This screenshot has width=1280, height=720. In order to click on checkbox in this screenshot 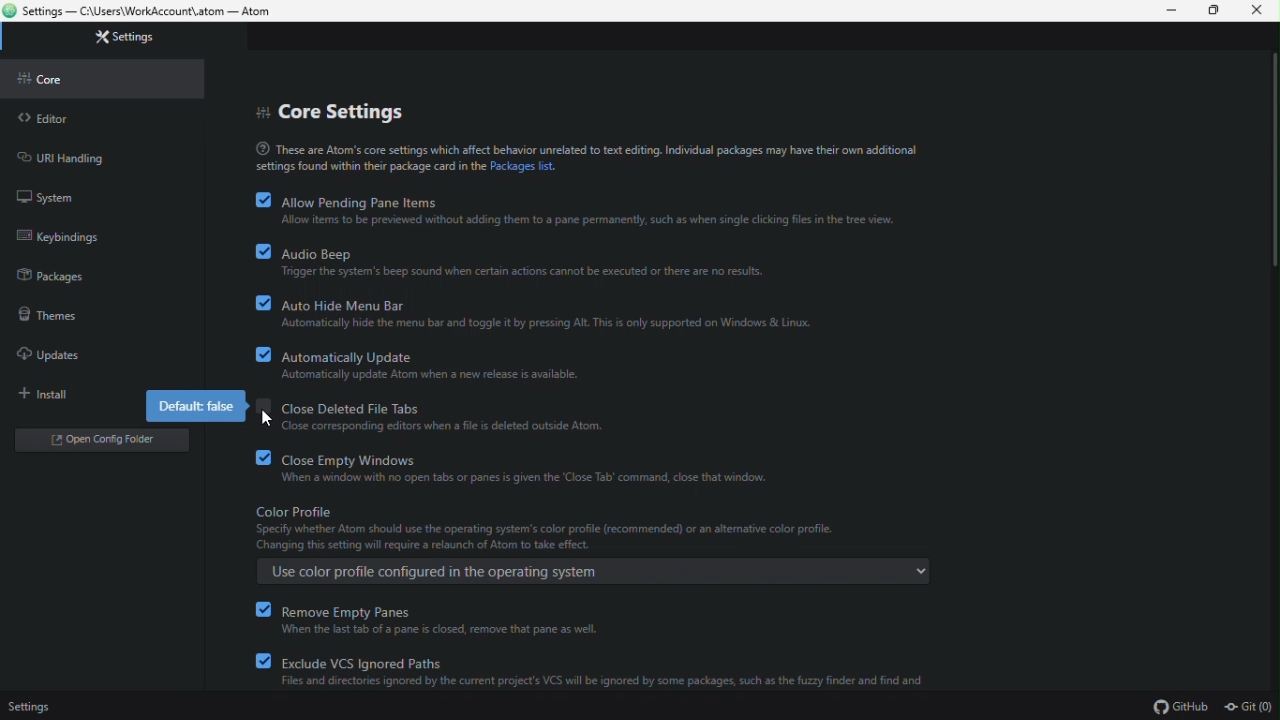, I will do `click(261, 357)`.